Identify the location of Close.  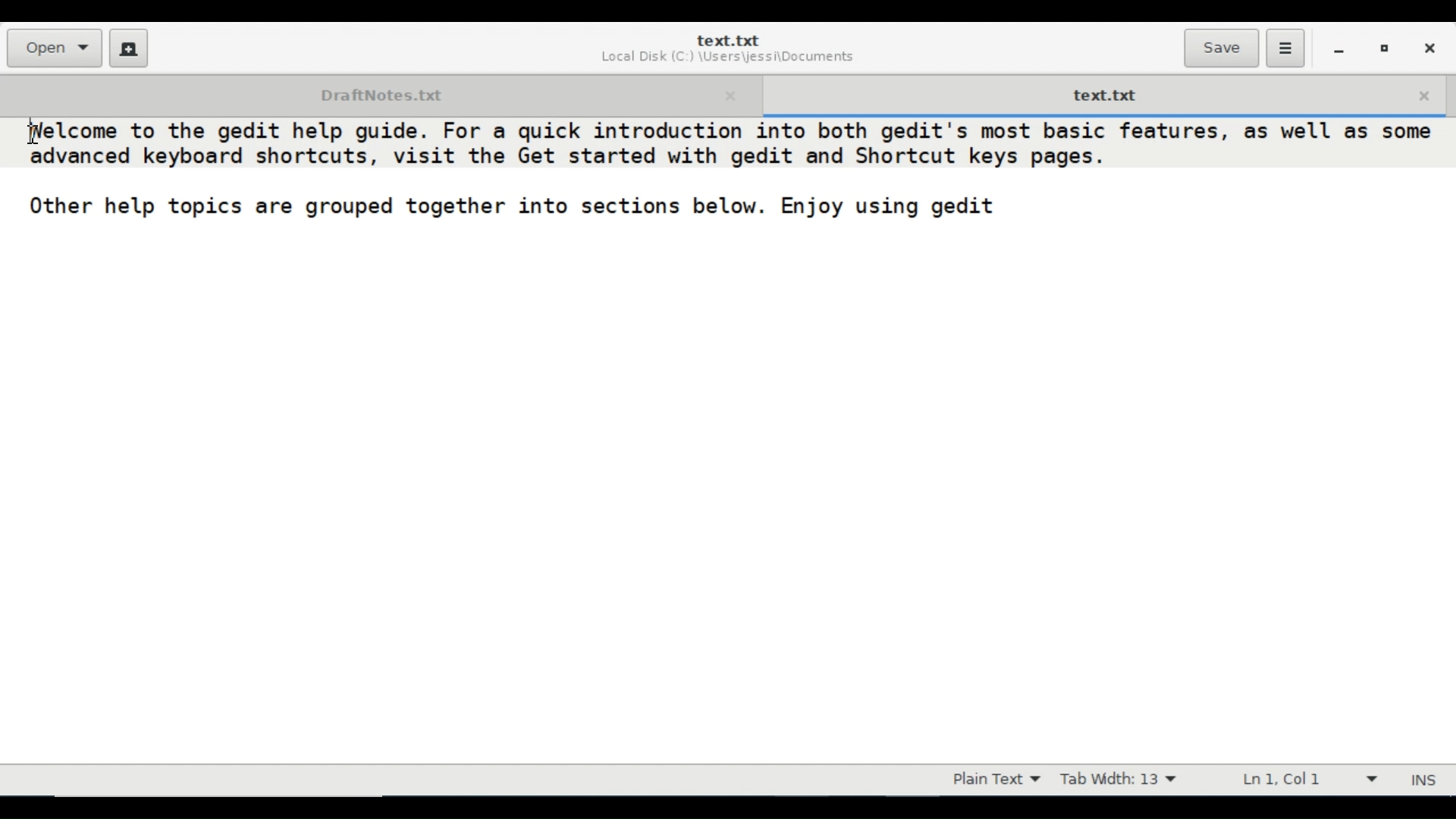
(1428, 46).